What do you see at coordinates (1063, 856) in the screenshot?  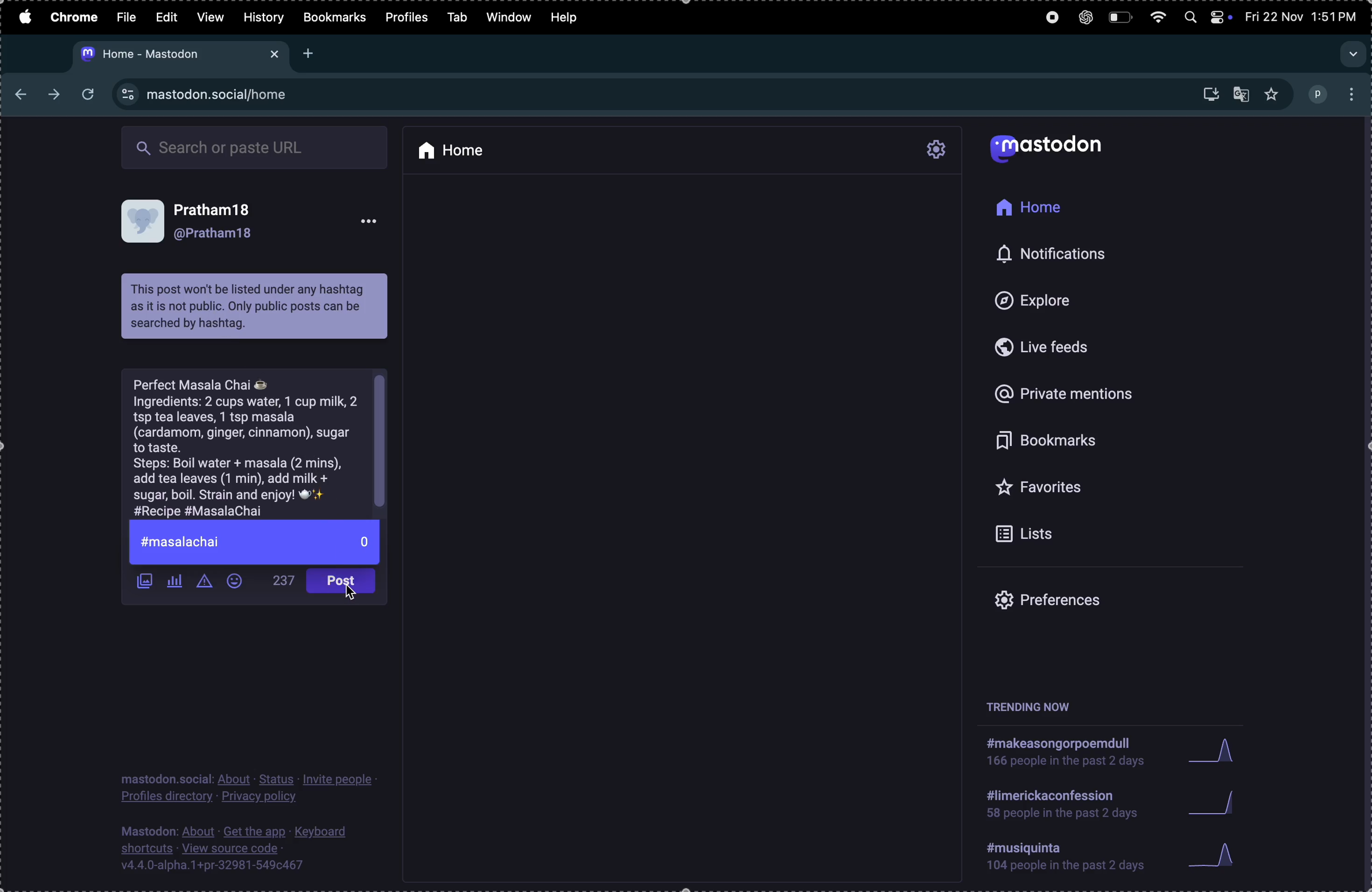 I see `hashtags` at bounding box center [1063, 856].